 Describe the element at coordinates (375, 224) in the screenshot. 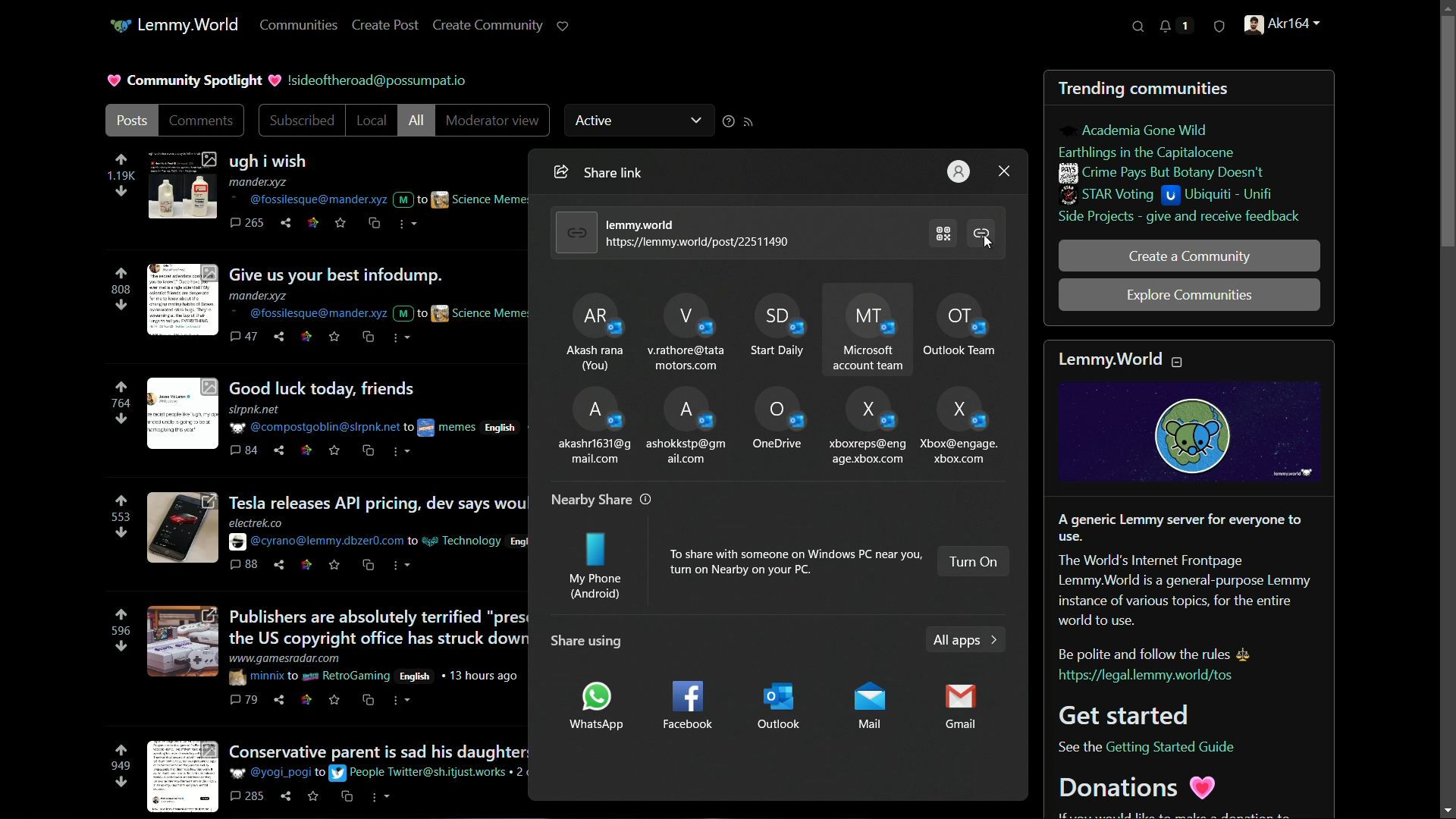

I see `cross psot` at that location.